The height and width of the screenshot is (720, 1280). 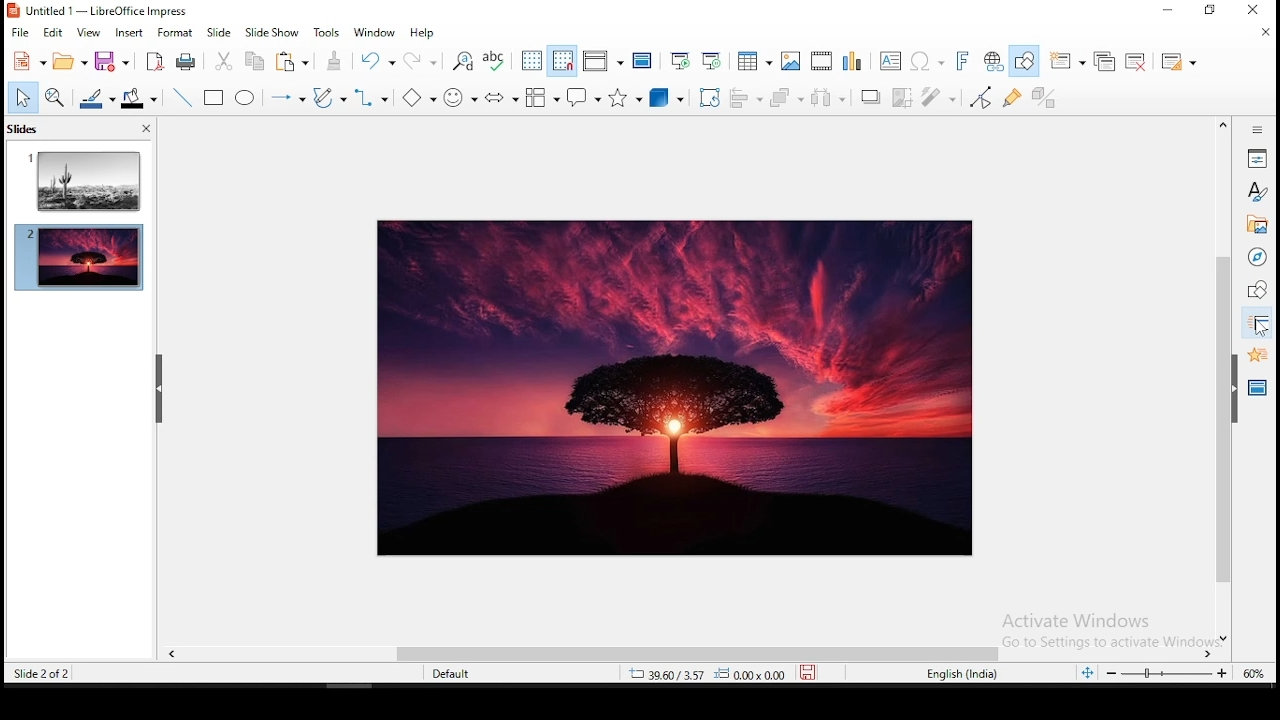 I want to click on slide show, so click(x=275, y=33).